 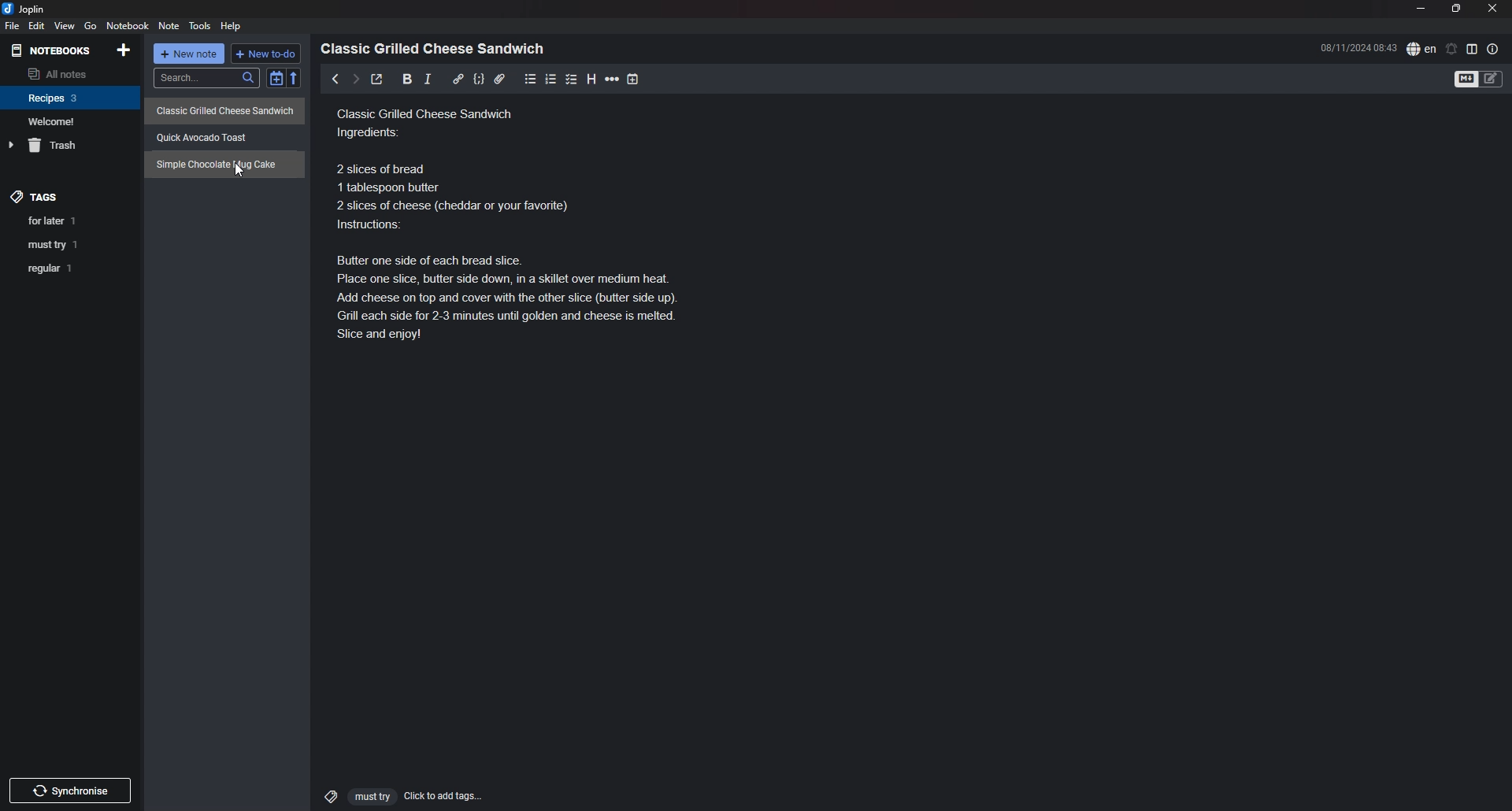 What do you see at coordinates (376, 81) in the screenshot?
I see `toggle external editor` at bounding box center [376, 81].